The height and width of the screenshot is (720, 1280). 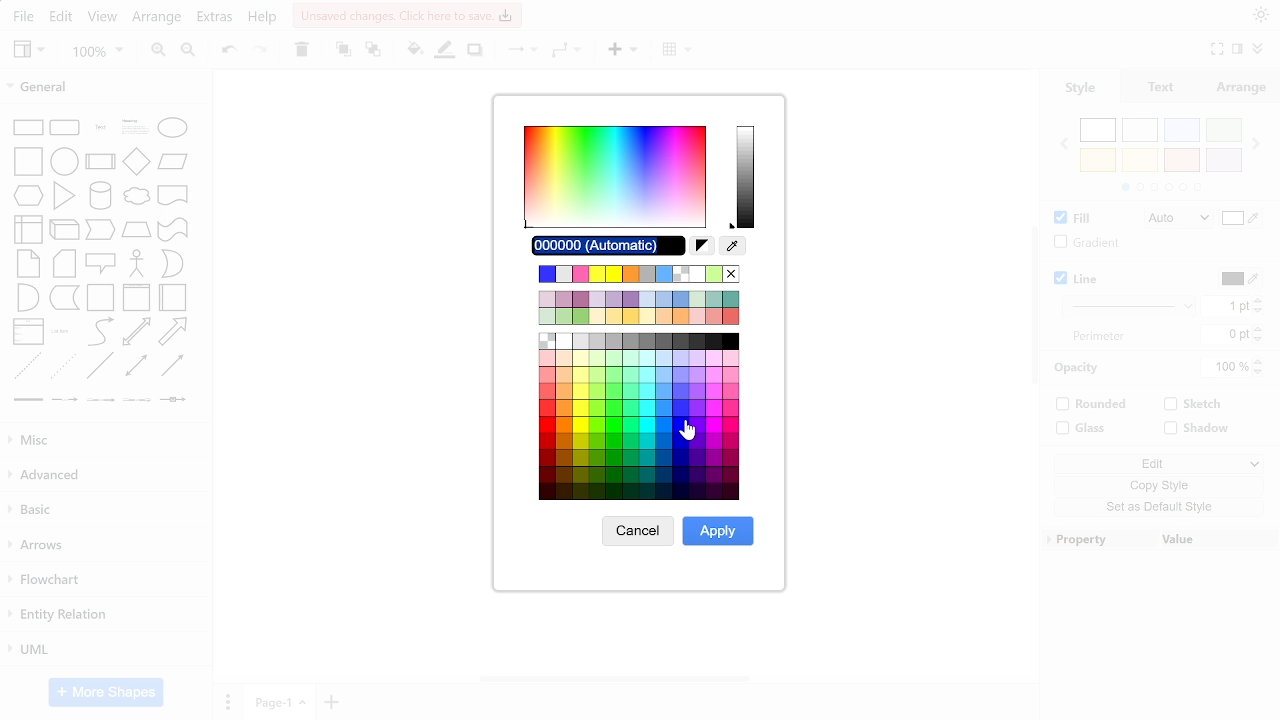 I want to click on arrows, so click(x=104, y=548).